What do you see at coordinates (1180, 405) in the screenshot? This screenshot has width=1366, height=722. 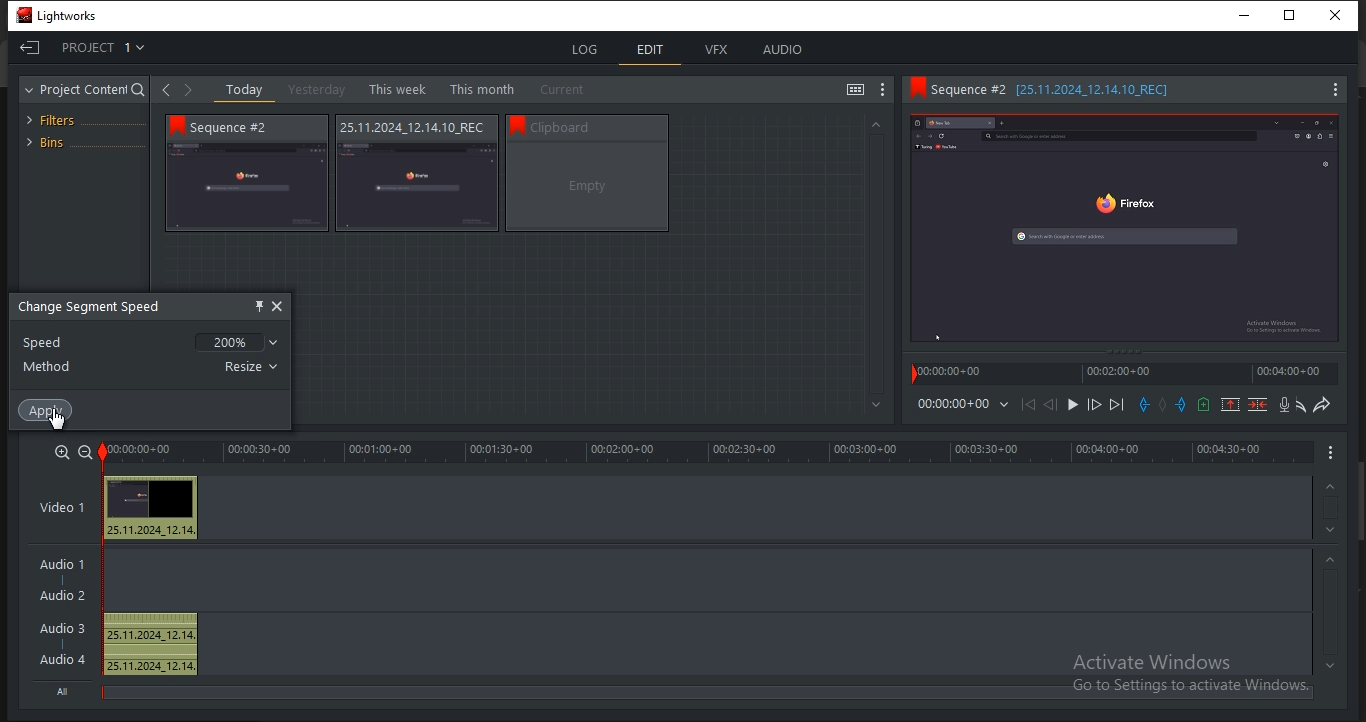 I see `add an out mark` at bounding box center [1180, 405].